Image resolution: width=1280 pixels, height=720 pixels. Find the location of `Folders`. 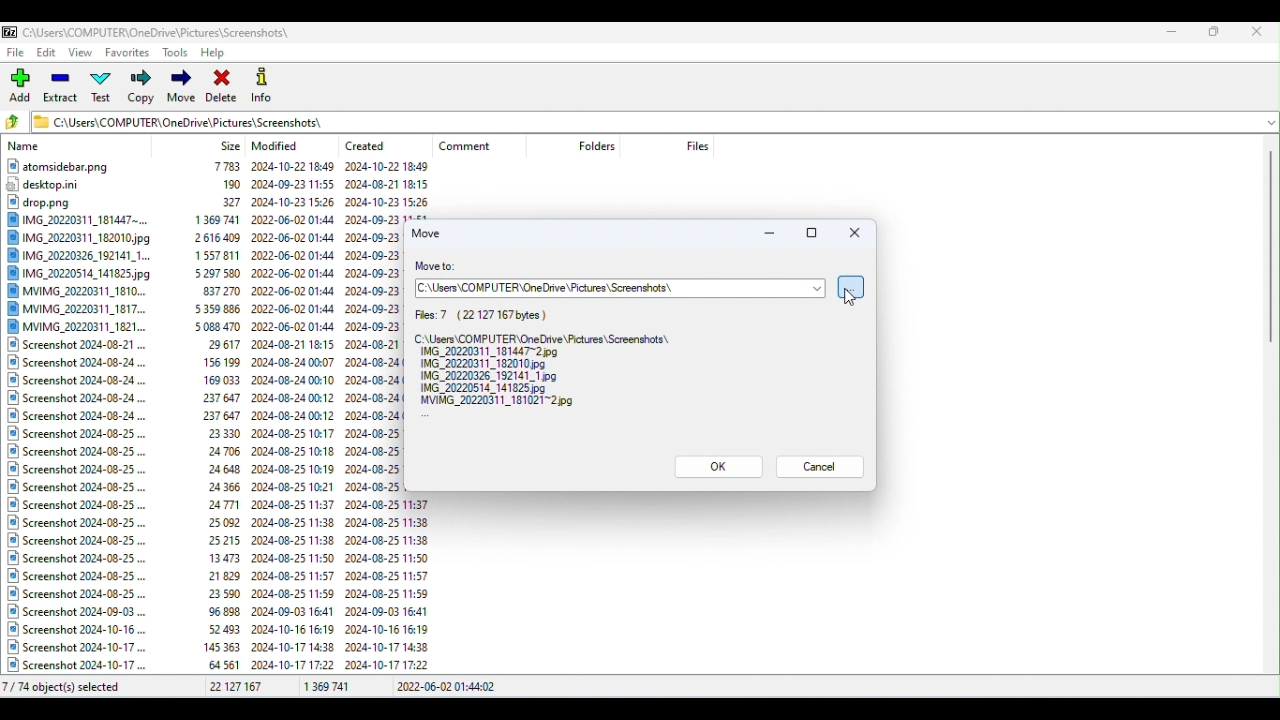

Folders is located at coordinates (599, 146).